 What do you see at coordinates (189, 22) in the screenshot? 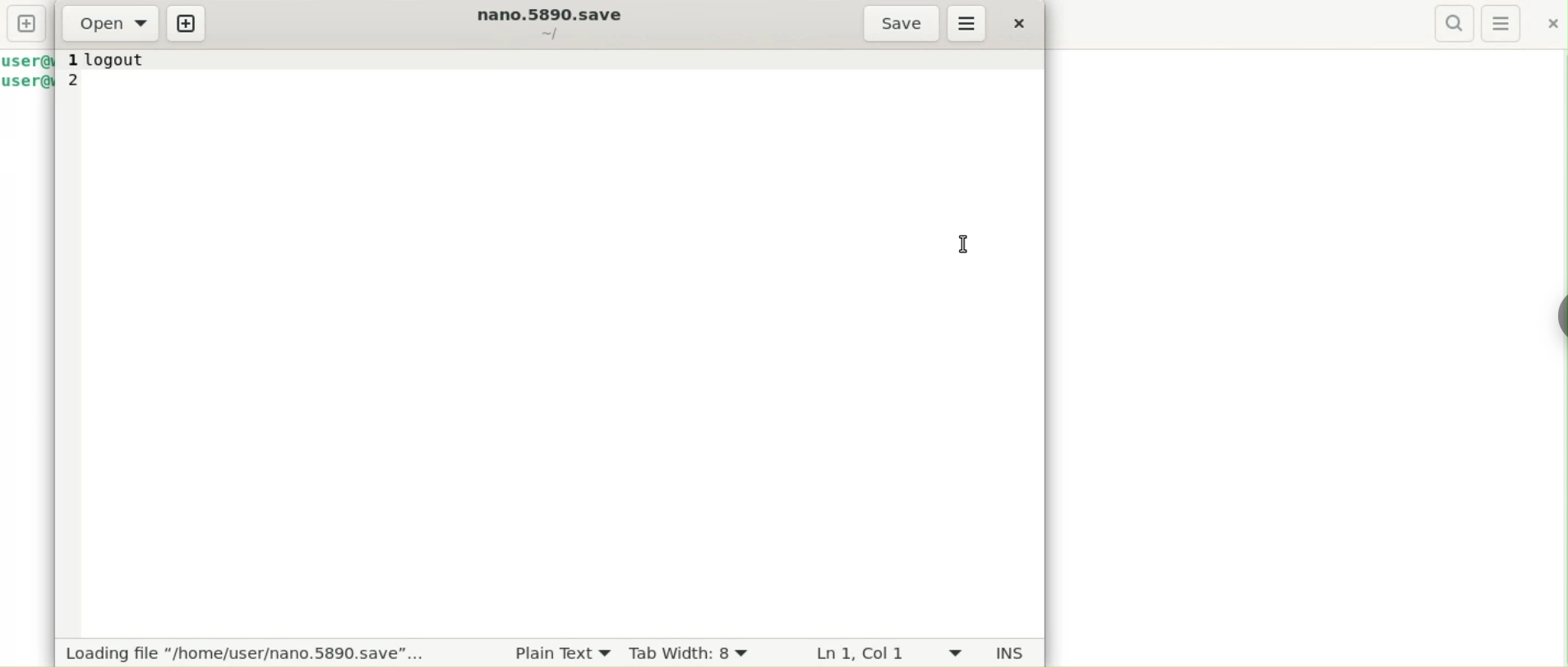
I see `new tab` at bounding box center [189, 22].